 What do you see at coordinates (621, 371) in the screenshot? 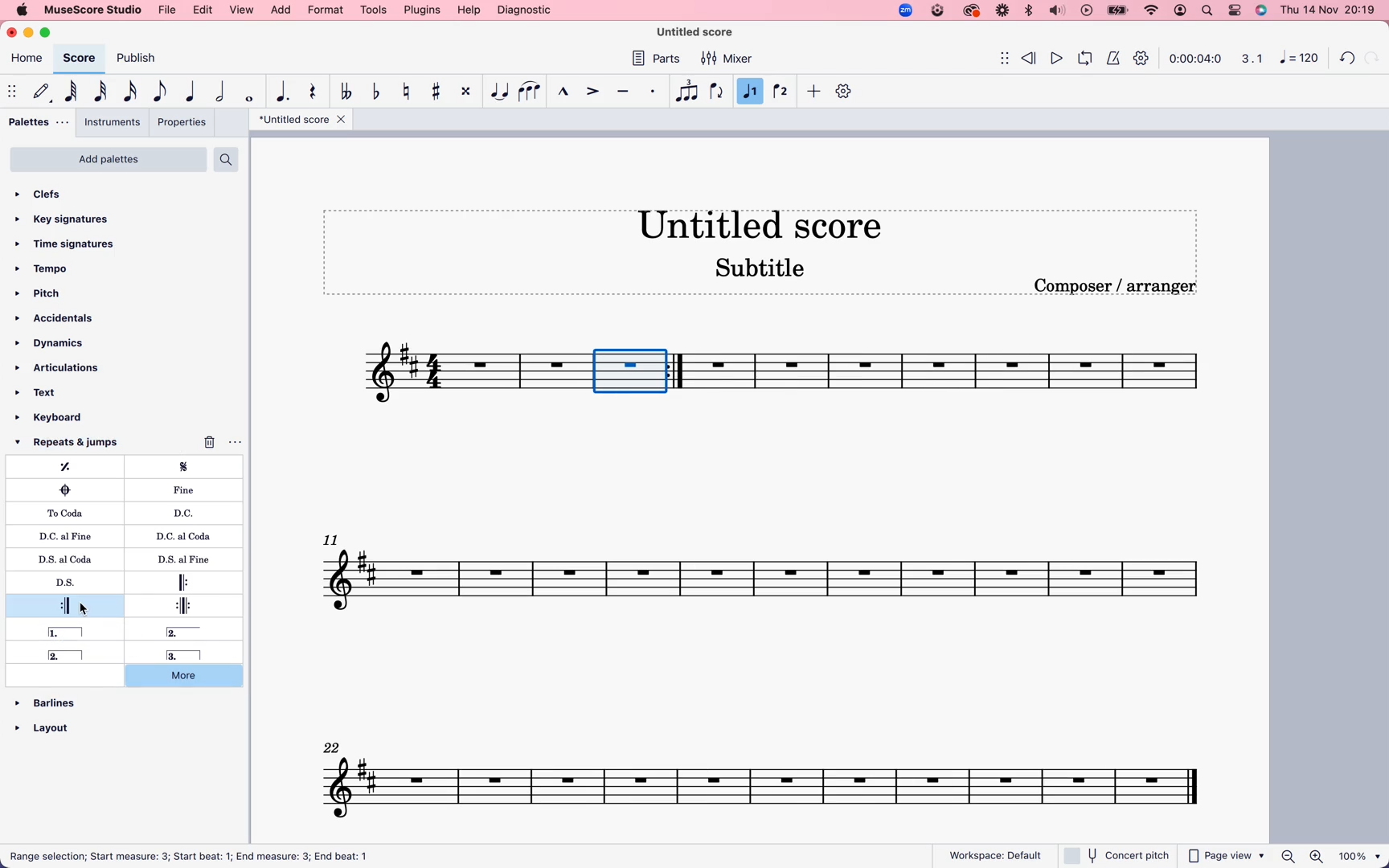
I see `selected scale` at bounding box center [621, 371].